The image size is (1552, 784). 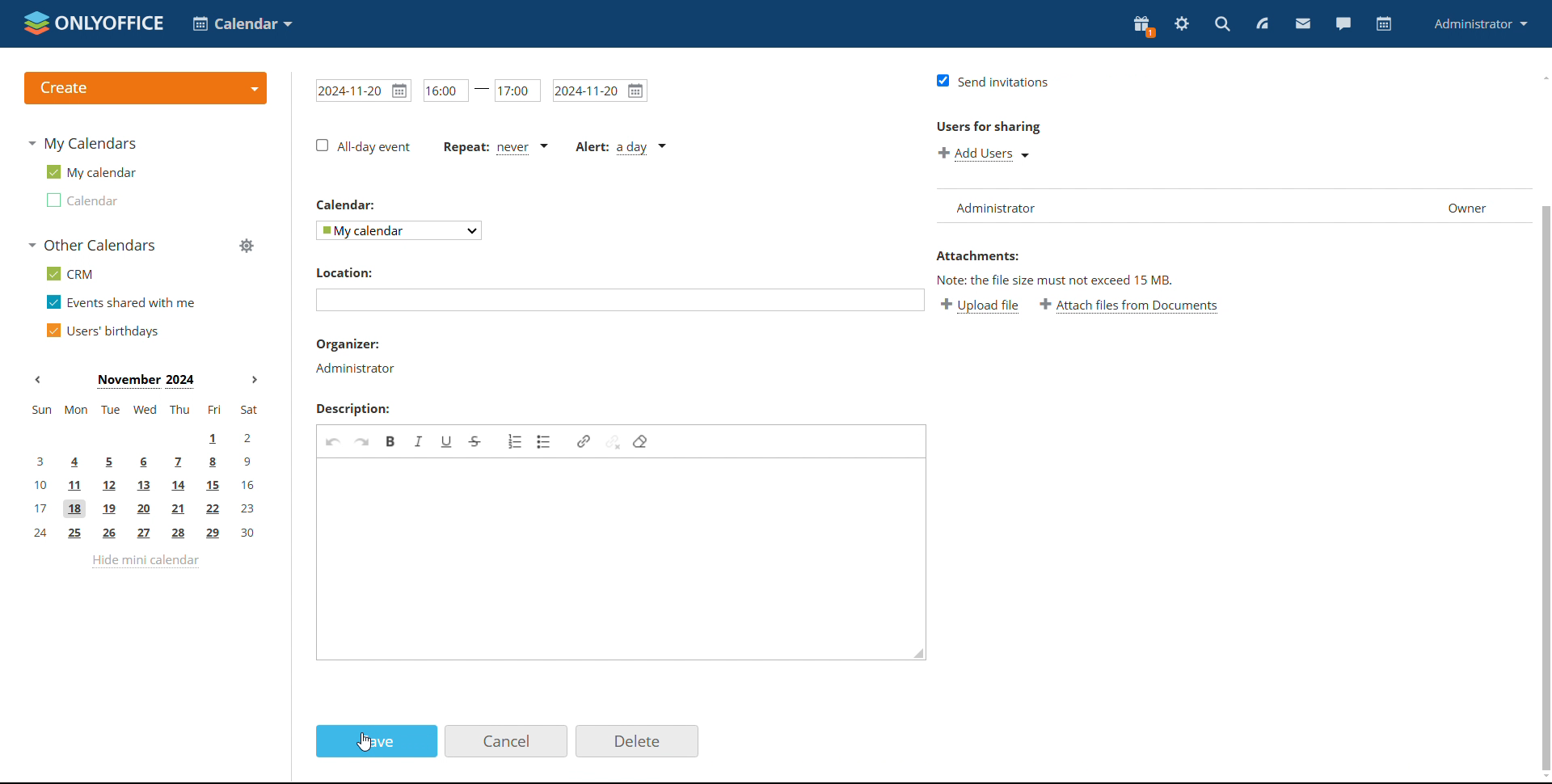 I want to click on start date, so click(x=361, y=91).